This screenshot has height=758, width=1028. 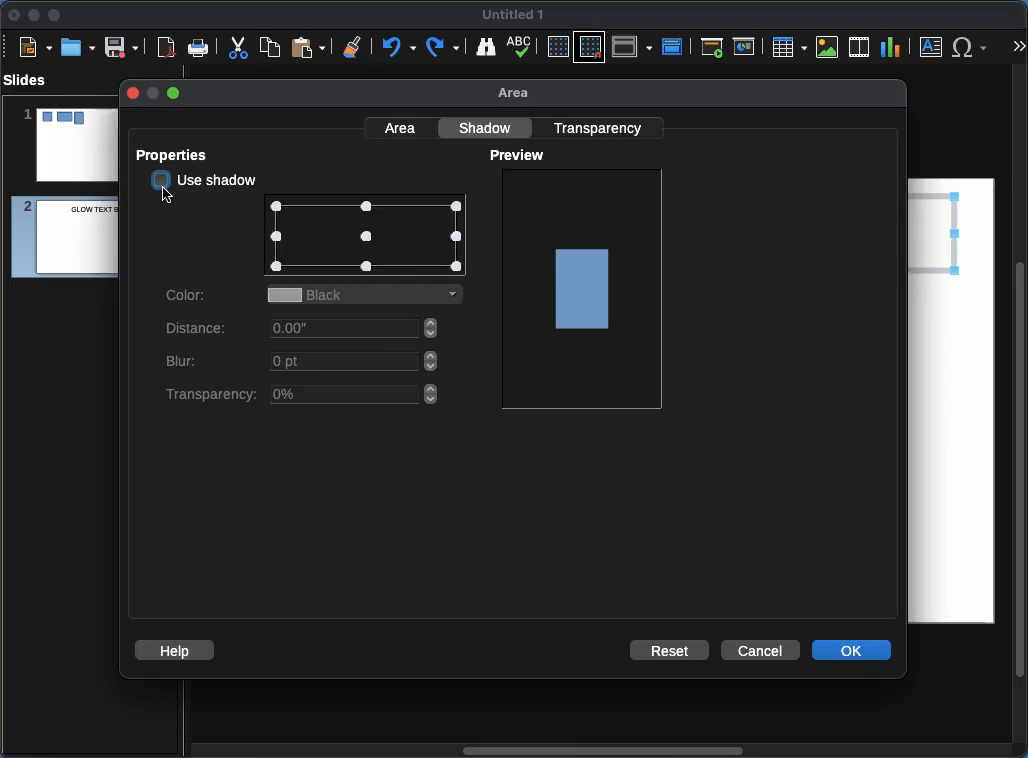 What do you see at coordinates (890, 48) in the screenshot?
I see `Chart` at bounding box center [890, 48].